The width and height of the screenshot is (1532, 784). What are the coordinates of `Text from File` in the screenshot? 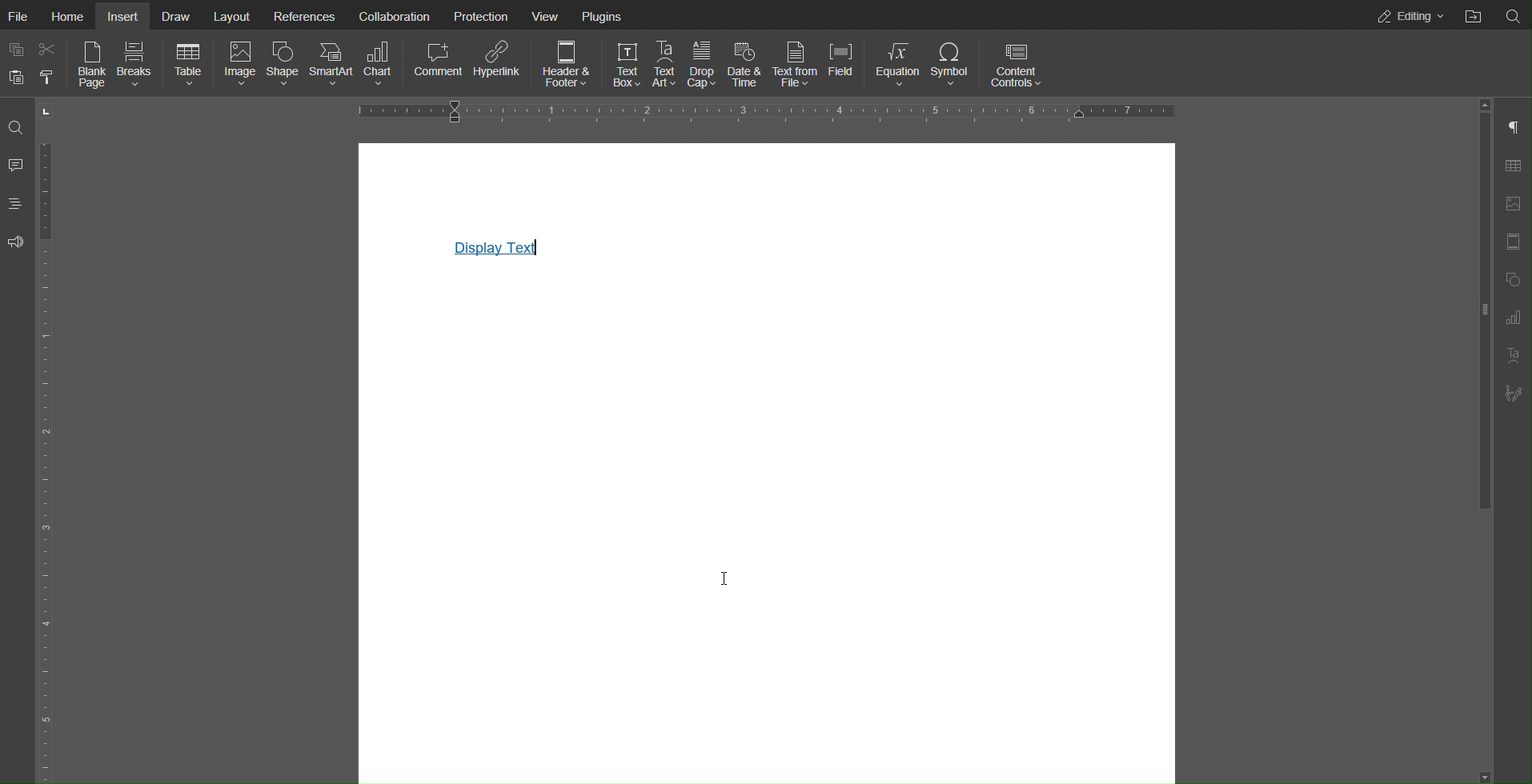 It's located at (798, 66).